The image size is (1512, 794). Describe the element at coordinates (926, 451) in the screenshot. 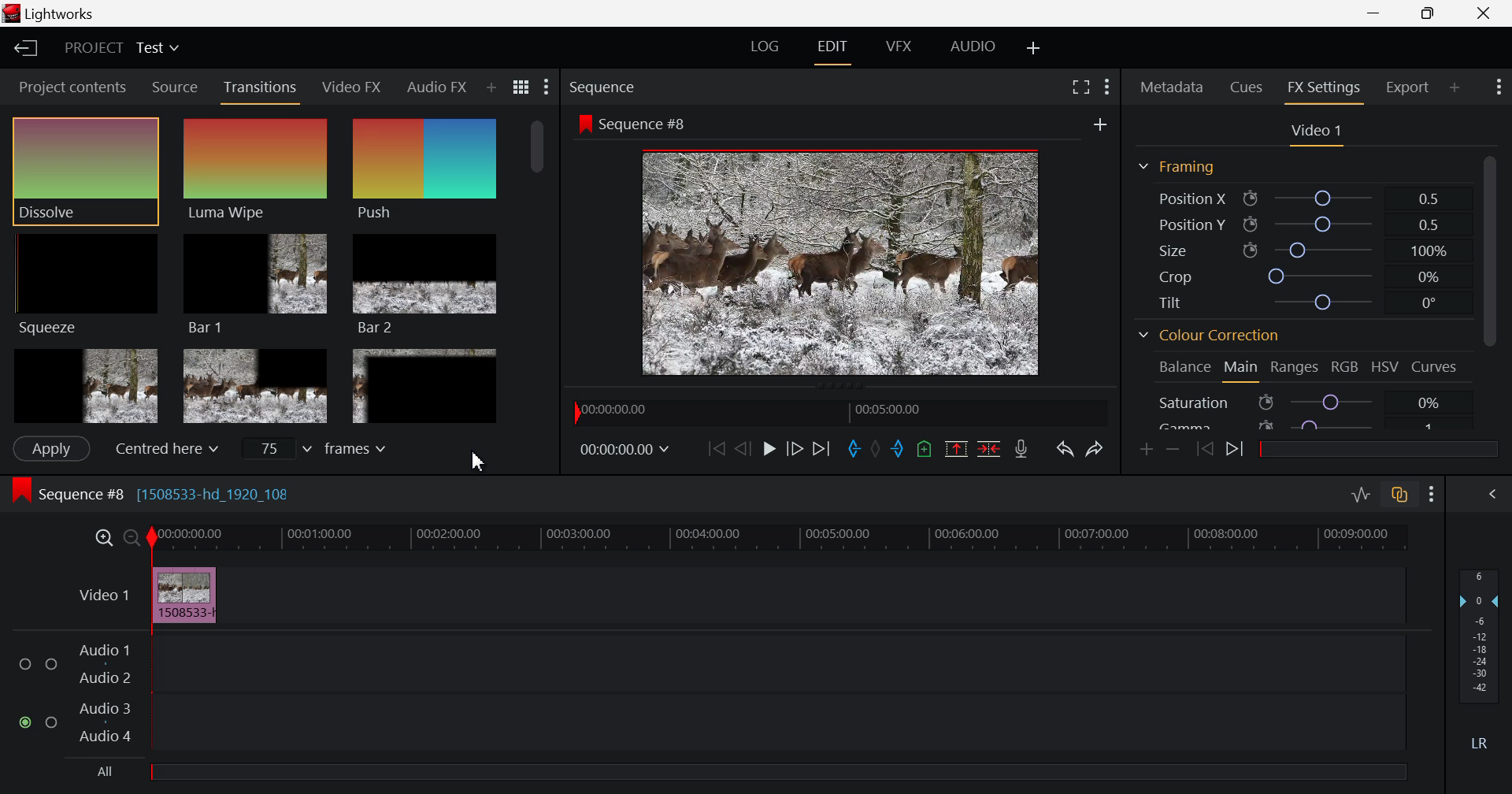

I see `Mark Cue` at that location.